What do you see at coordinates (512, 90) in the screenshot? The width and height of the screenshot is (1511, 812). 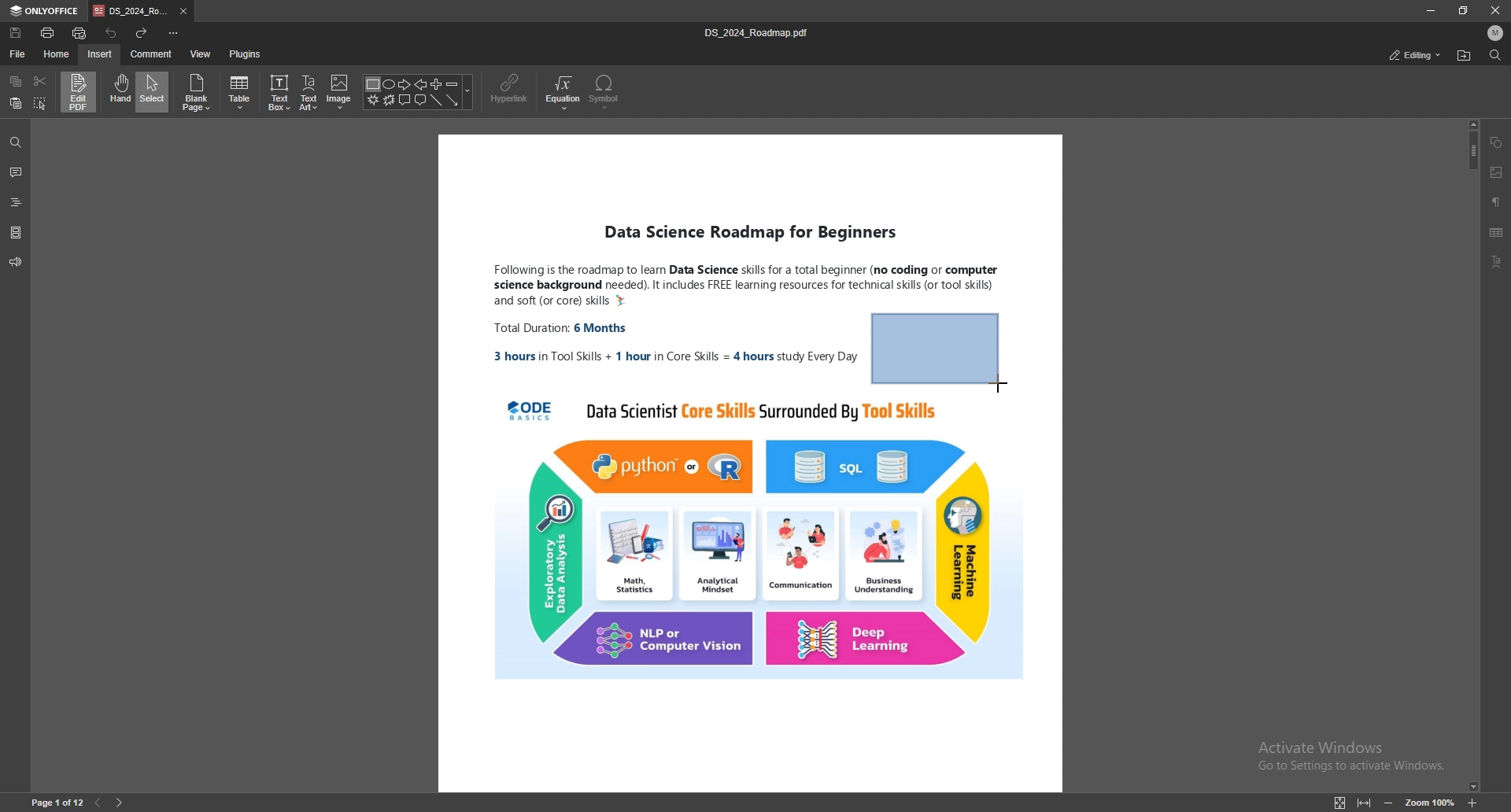 I see `hyperlink` at bounding box center [512, 90].